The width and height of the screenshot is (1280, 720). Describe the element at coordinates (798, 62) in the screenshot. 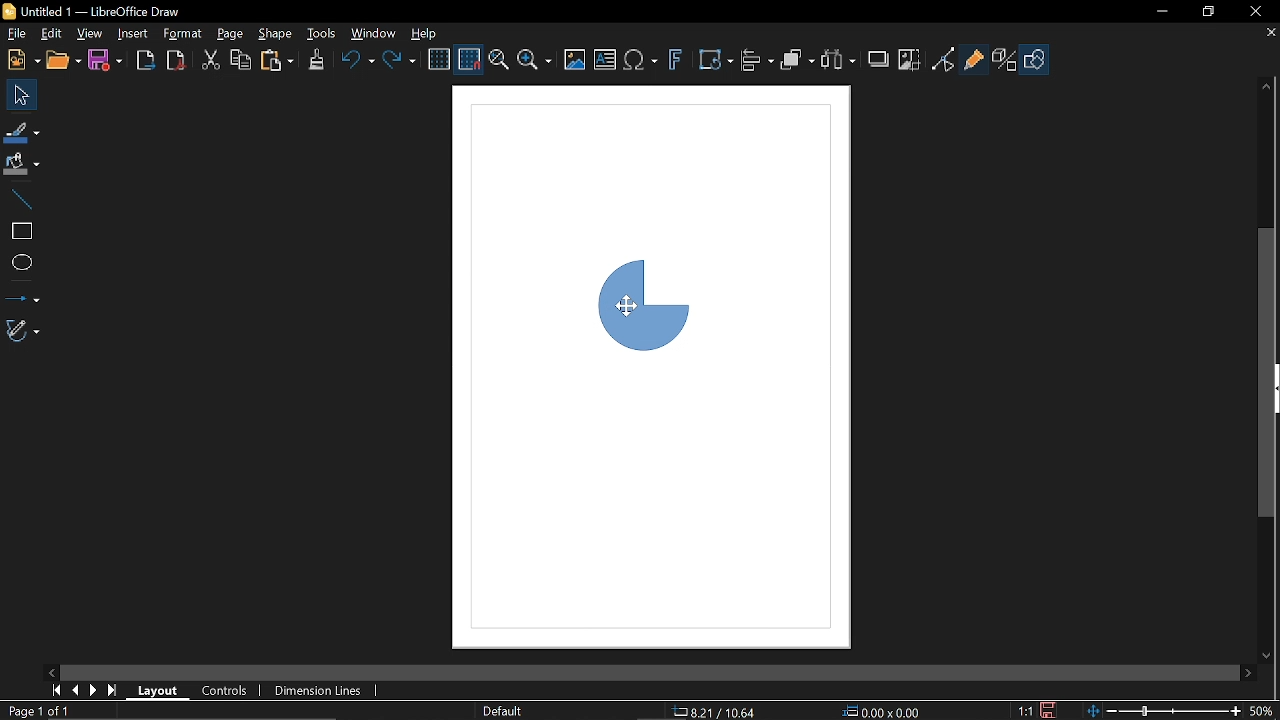

I see `Arrange` at that location.